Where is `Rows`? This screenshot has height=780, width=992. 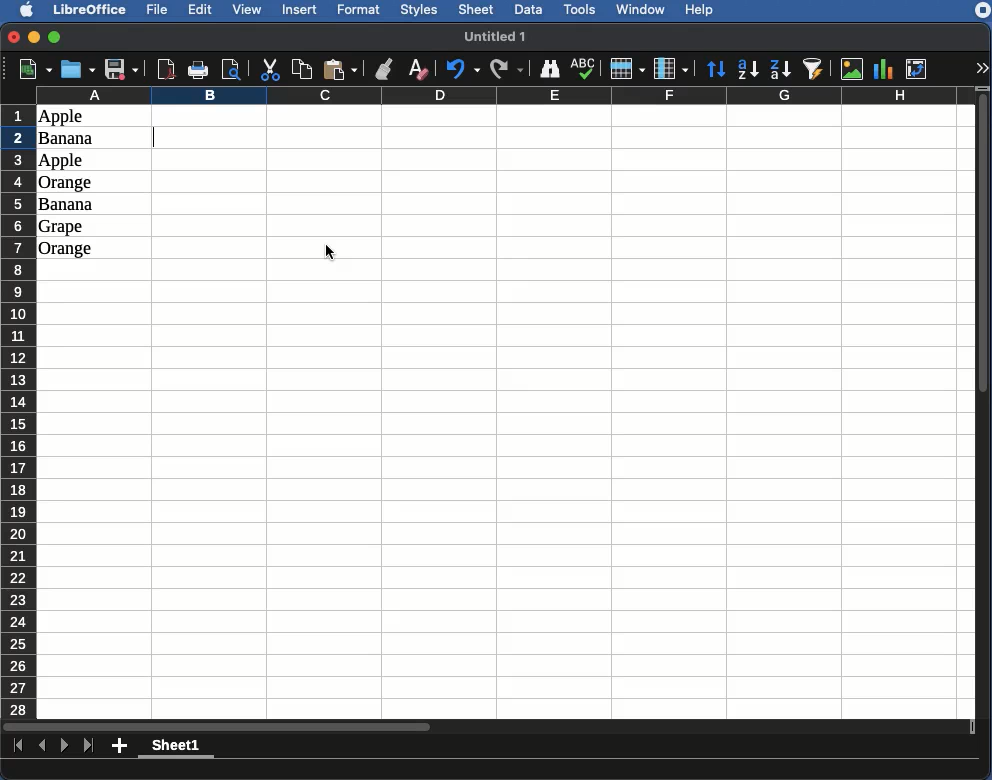
Rows is located at coordinates (19, 408).